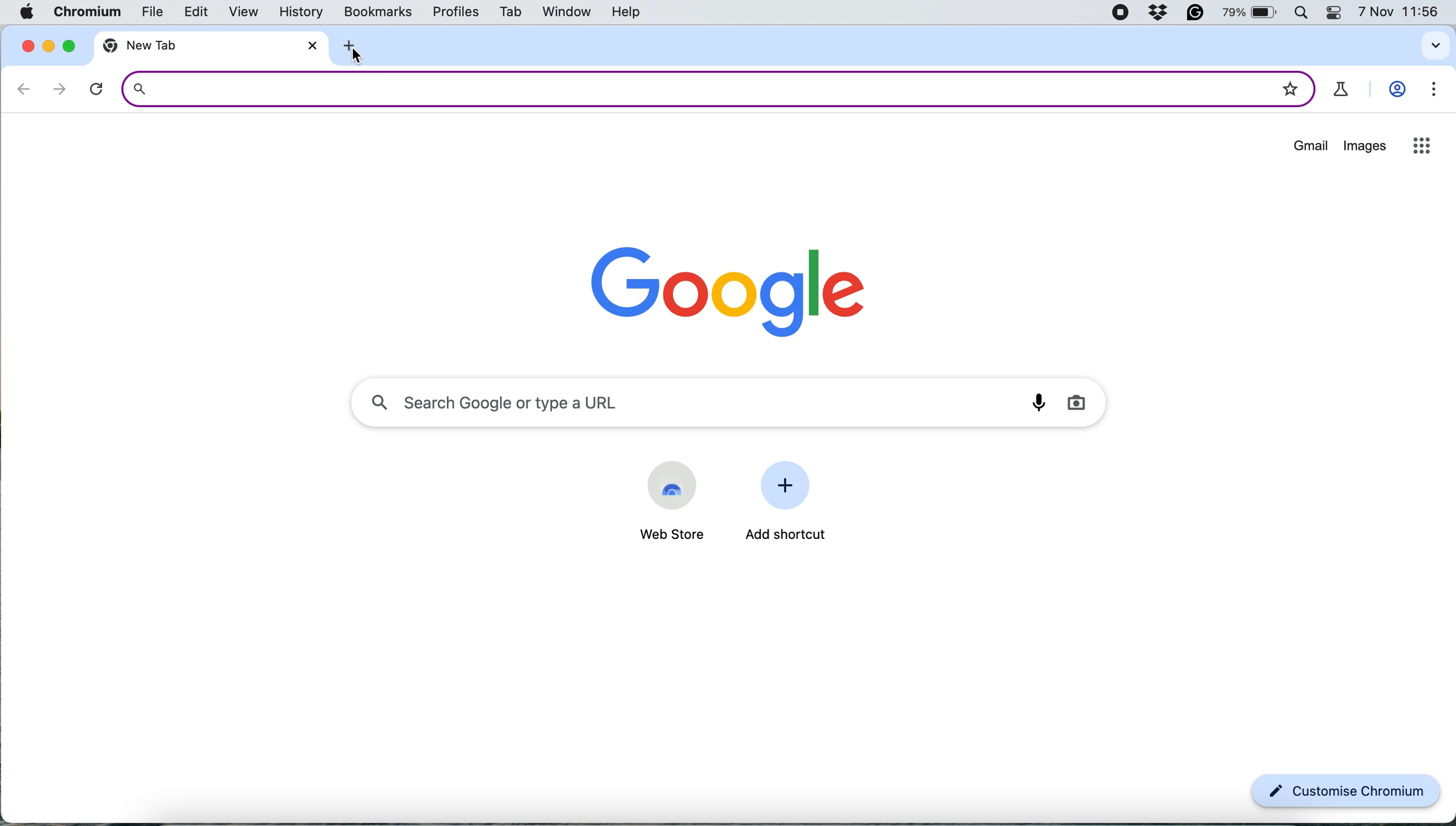 The height and width of the screenshot is (826, 1456). What do you see at coordinates (166, 46) in the screenshot?
I see `new tab` at bounding box center [166, 46].